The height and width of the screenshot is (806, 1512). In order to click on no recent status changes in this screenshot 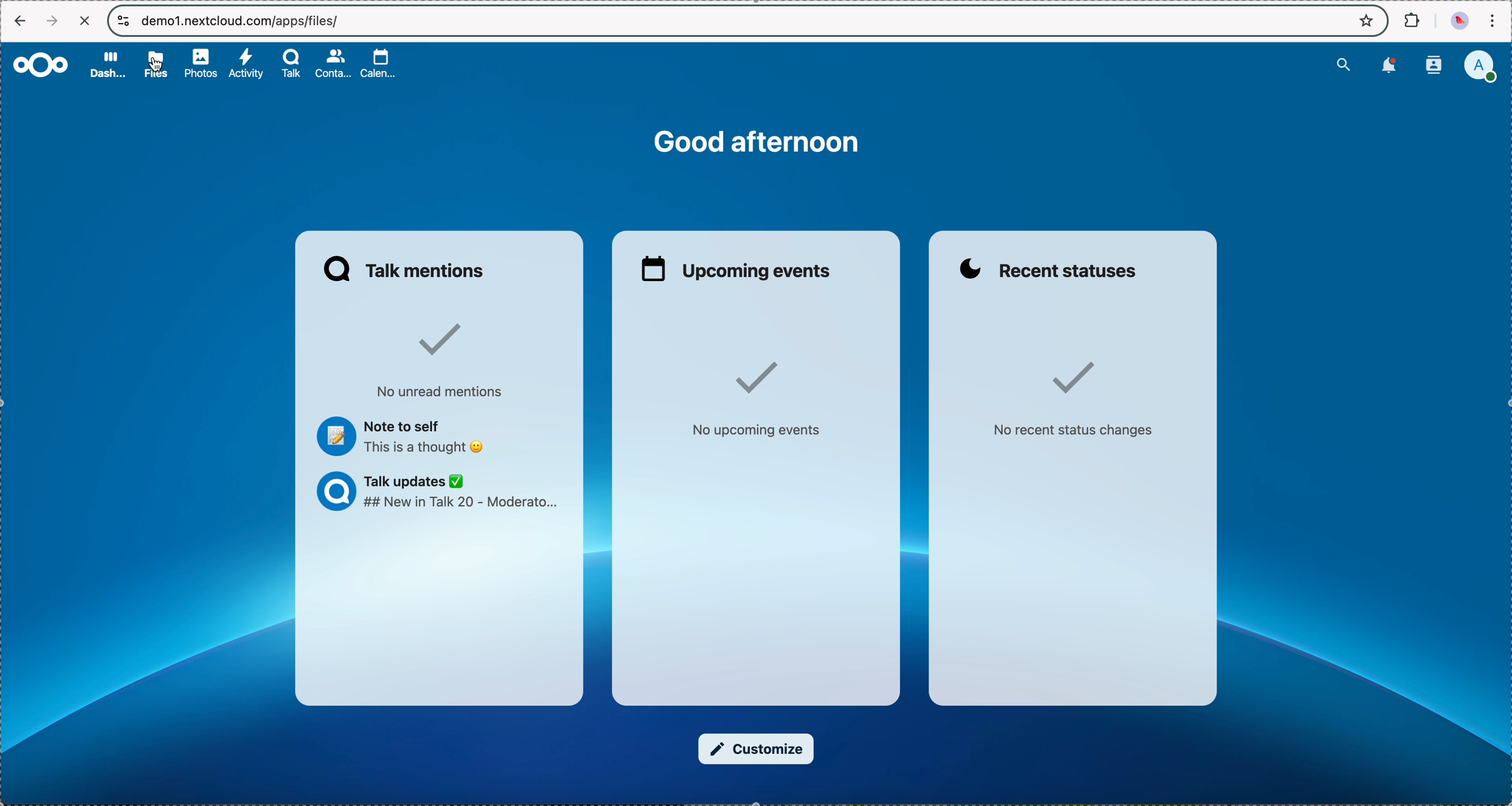, I will do `click(1072, 400)`.